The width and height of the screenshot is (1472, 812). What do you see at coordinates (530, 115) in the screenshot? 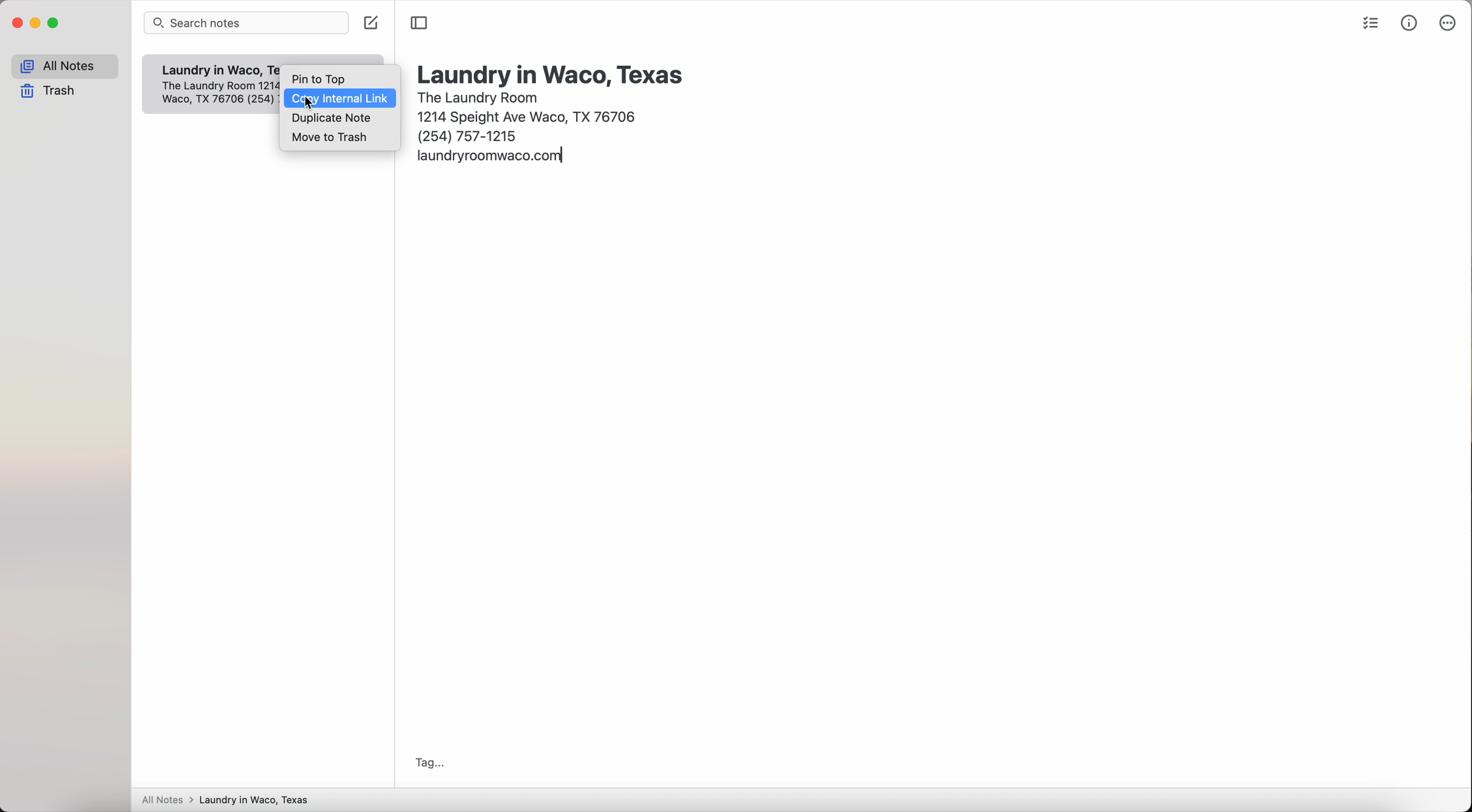
I see `1214 Speight Ave Waco, TX 76706` at bounding box center [530, 115].